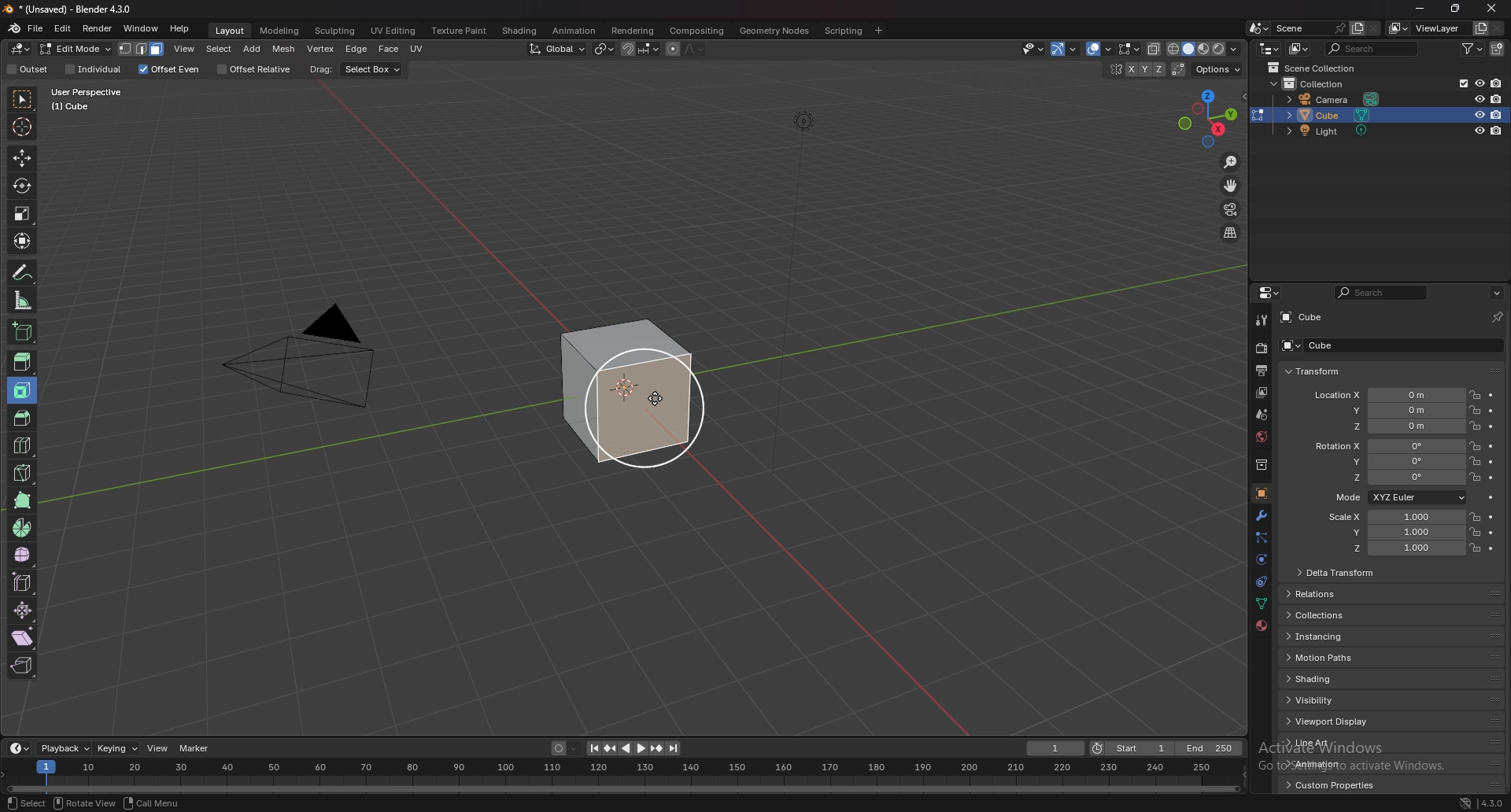  What do you see at coordinates (1474, 532) in the screenshot?
I see `lock` at bounding box center [1474, 532].